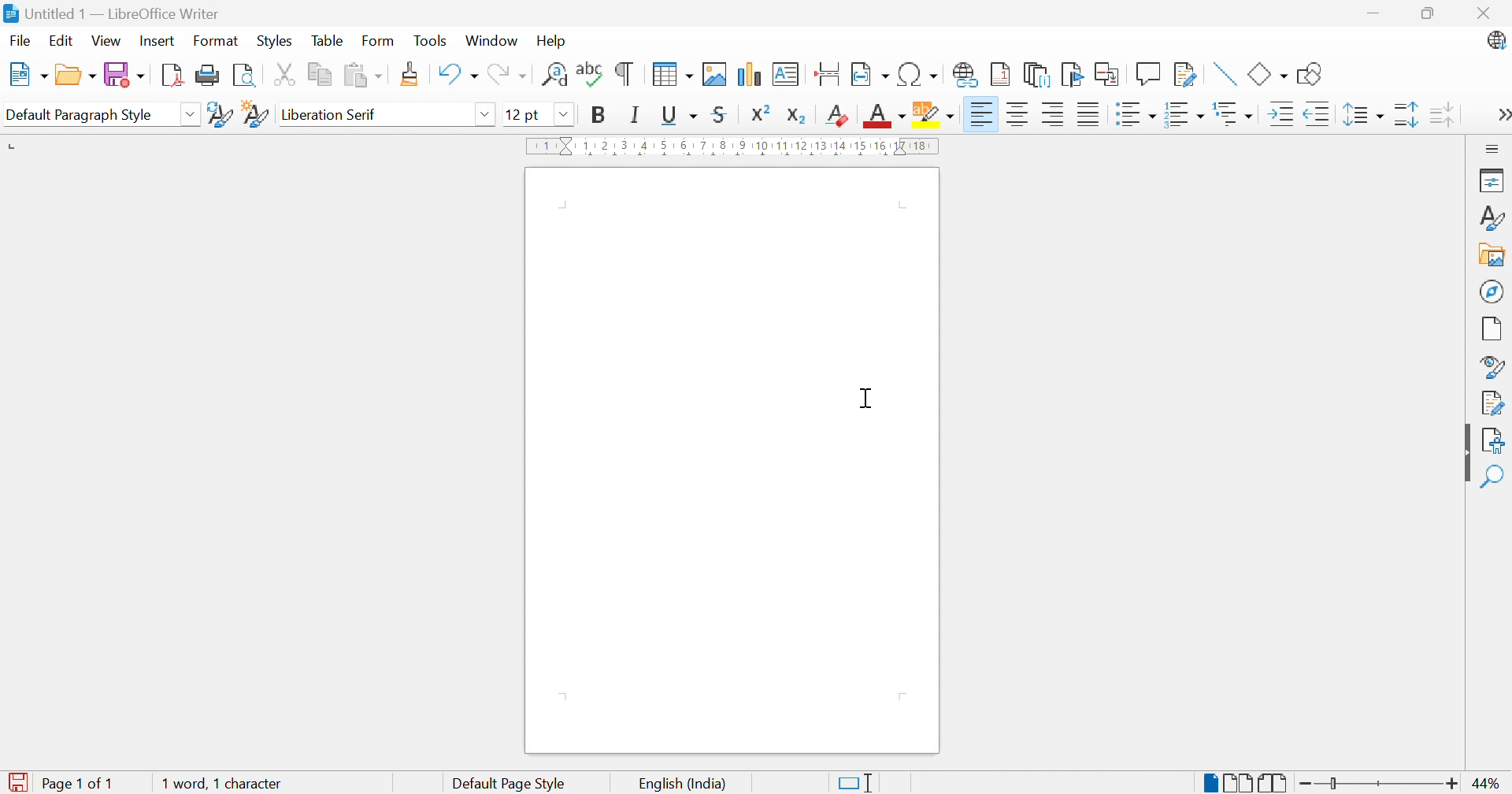 The height and width of the screenshot is (794, 1512). What do you see at coordinates (858, 782) in the screenshot?
I see `Standard selection. Click to change selection mode.` at bounding box center [858, 782].